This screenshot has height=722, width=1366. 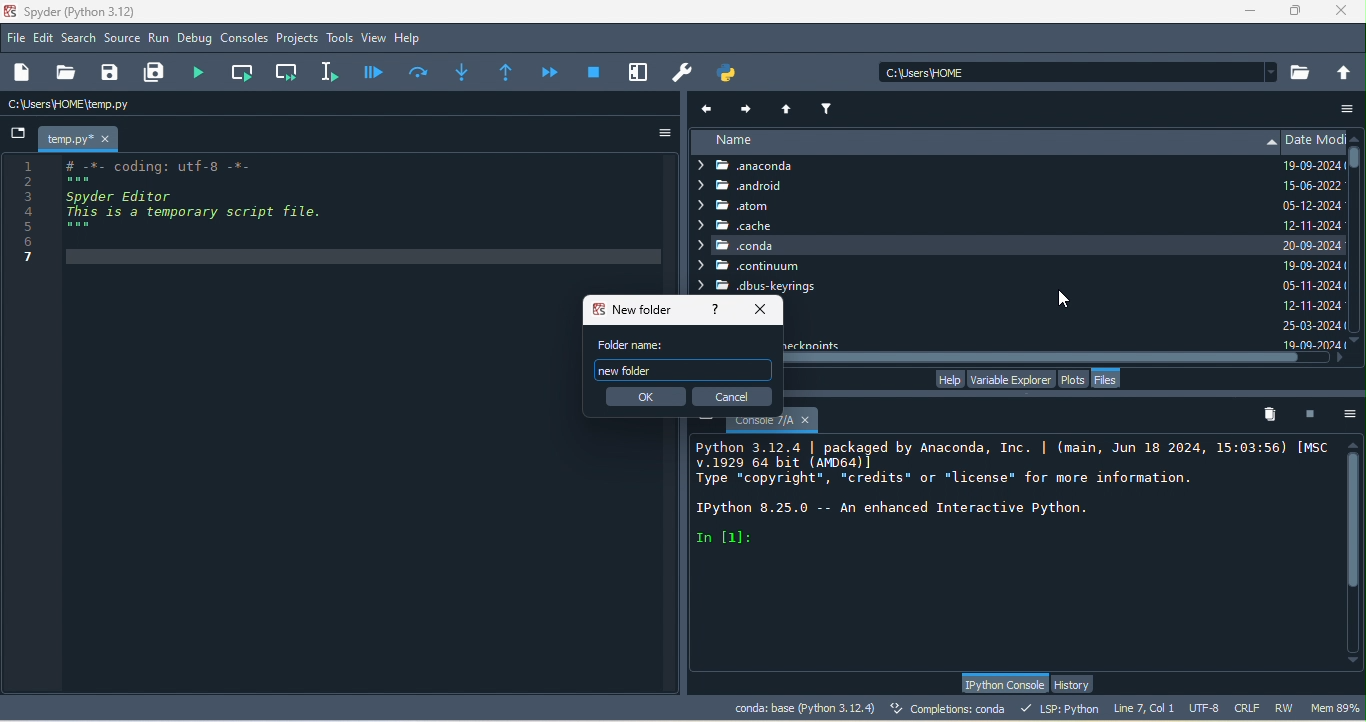 What do you see at coordinates (1297, 11) in the screenshot?
I see `maximize` at bounding box center [1297, 11].